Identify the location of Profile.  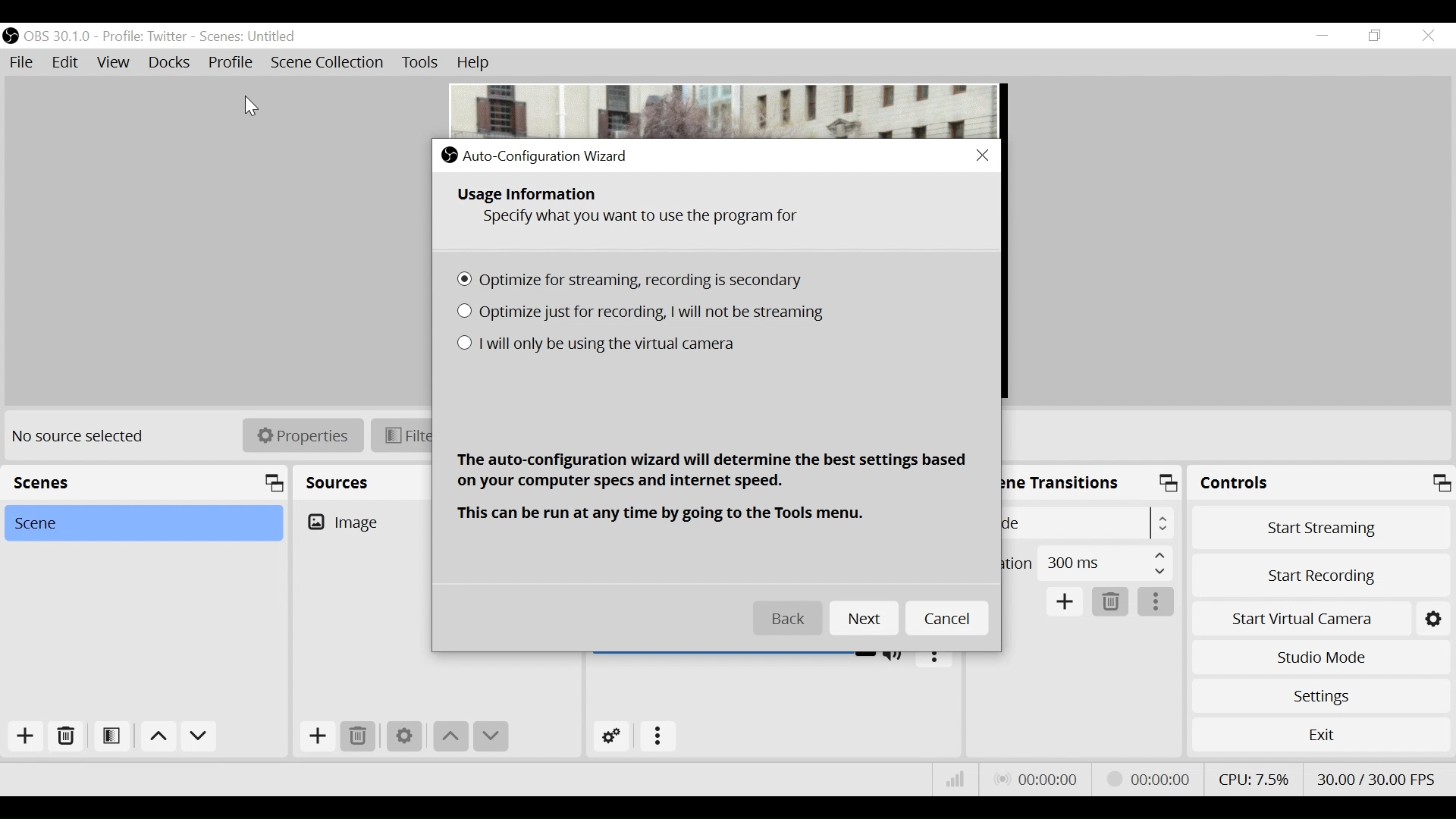
(145, 36).